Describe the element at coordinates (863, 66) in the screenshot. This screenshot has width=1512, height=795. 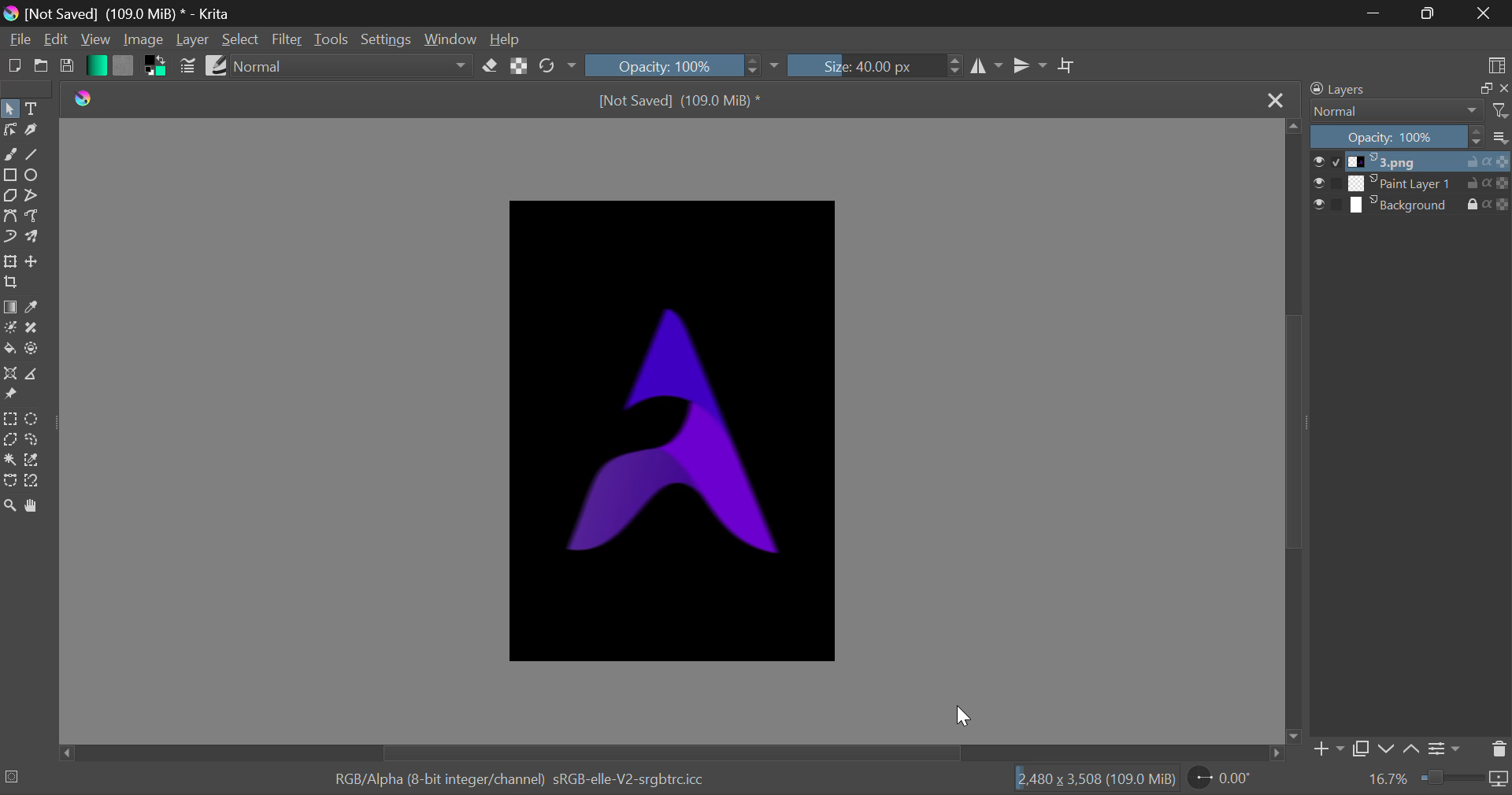
I see `Size: 40.00 px` at that location.